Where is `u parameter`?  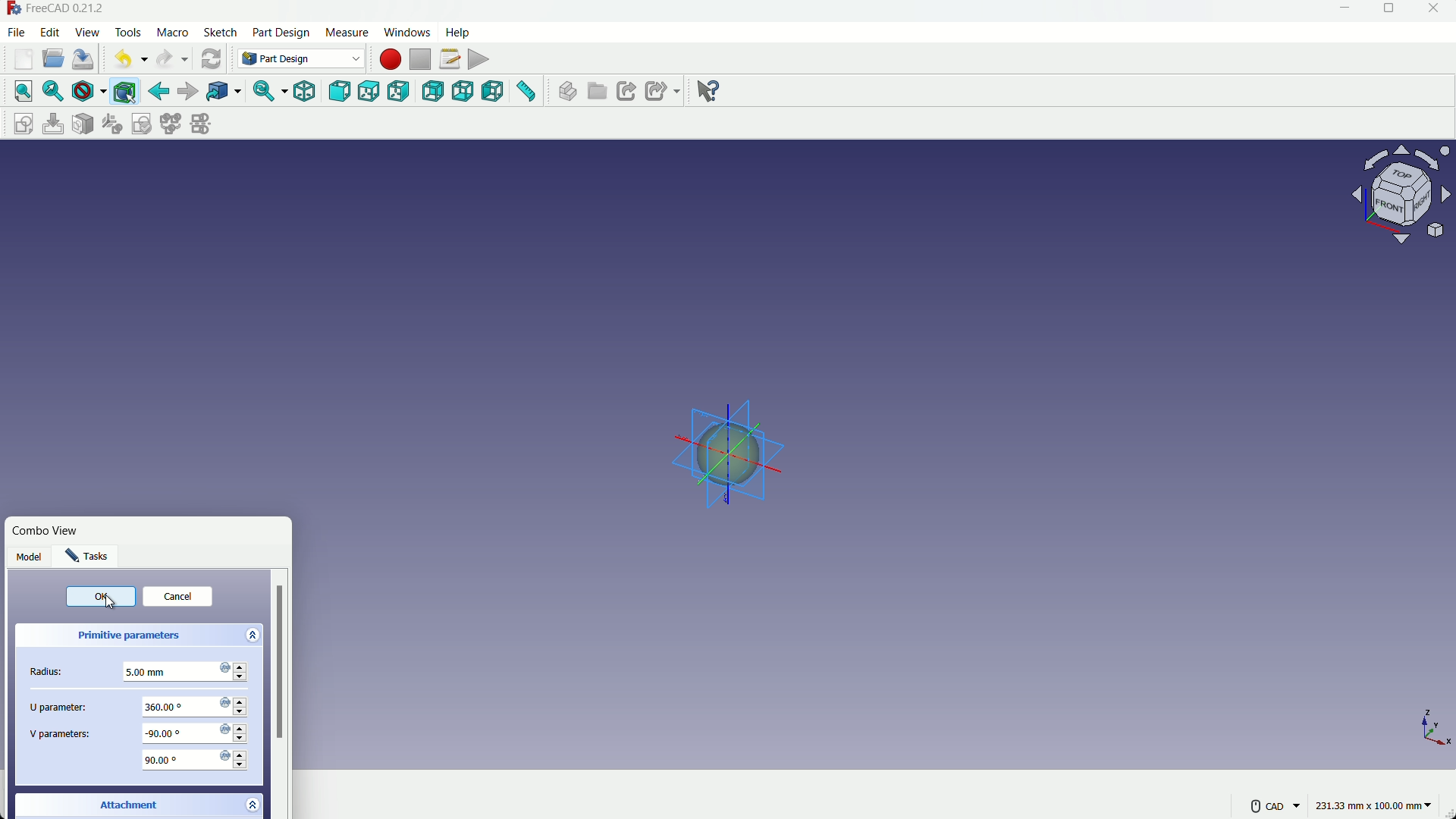
u parameter is located at coordinates (200, 706).